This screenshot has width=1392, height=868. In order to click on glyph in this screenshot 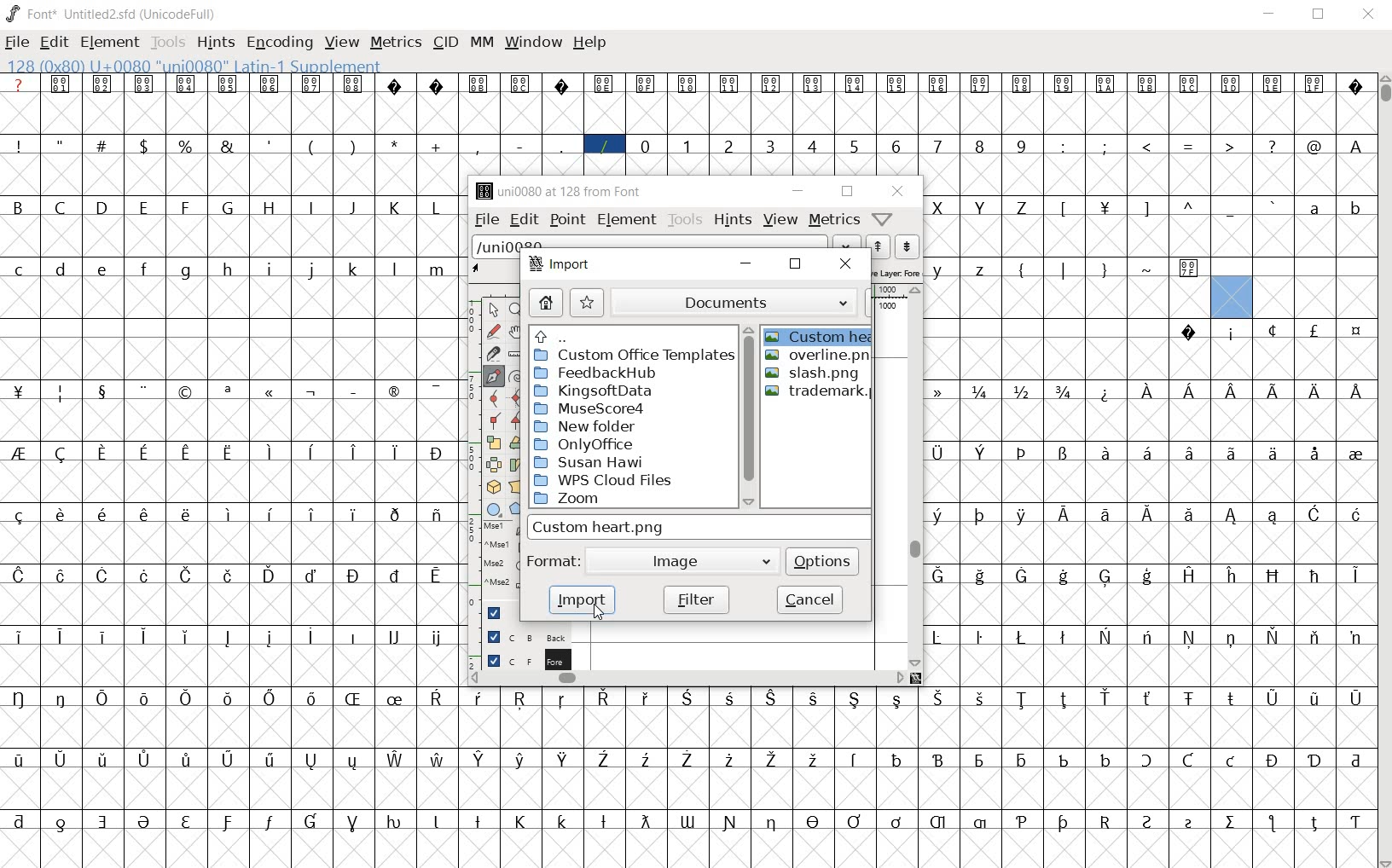, I will do `click(19, 453)`.